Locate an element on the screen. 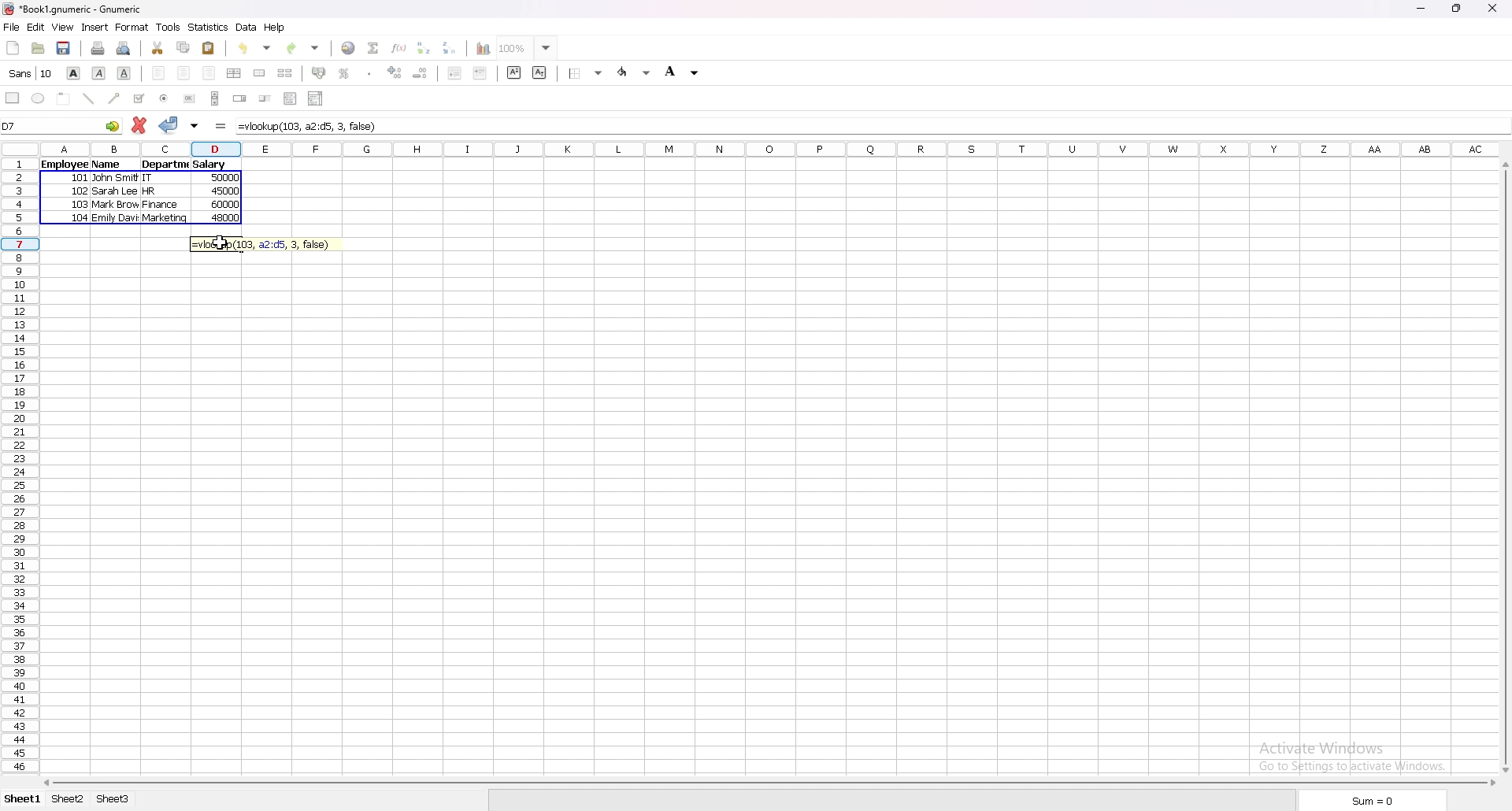 The width and height of the screenshot is (1512, 811). view is located at coordinates (62, 27).